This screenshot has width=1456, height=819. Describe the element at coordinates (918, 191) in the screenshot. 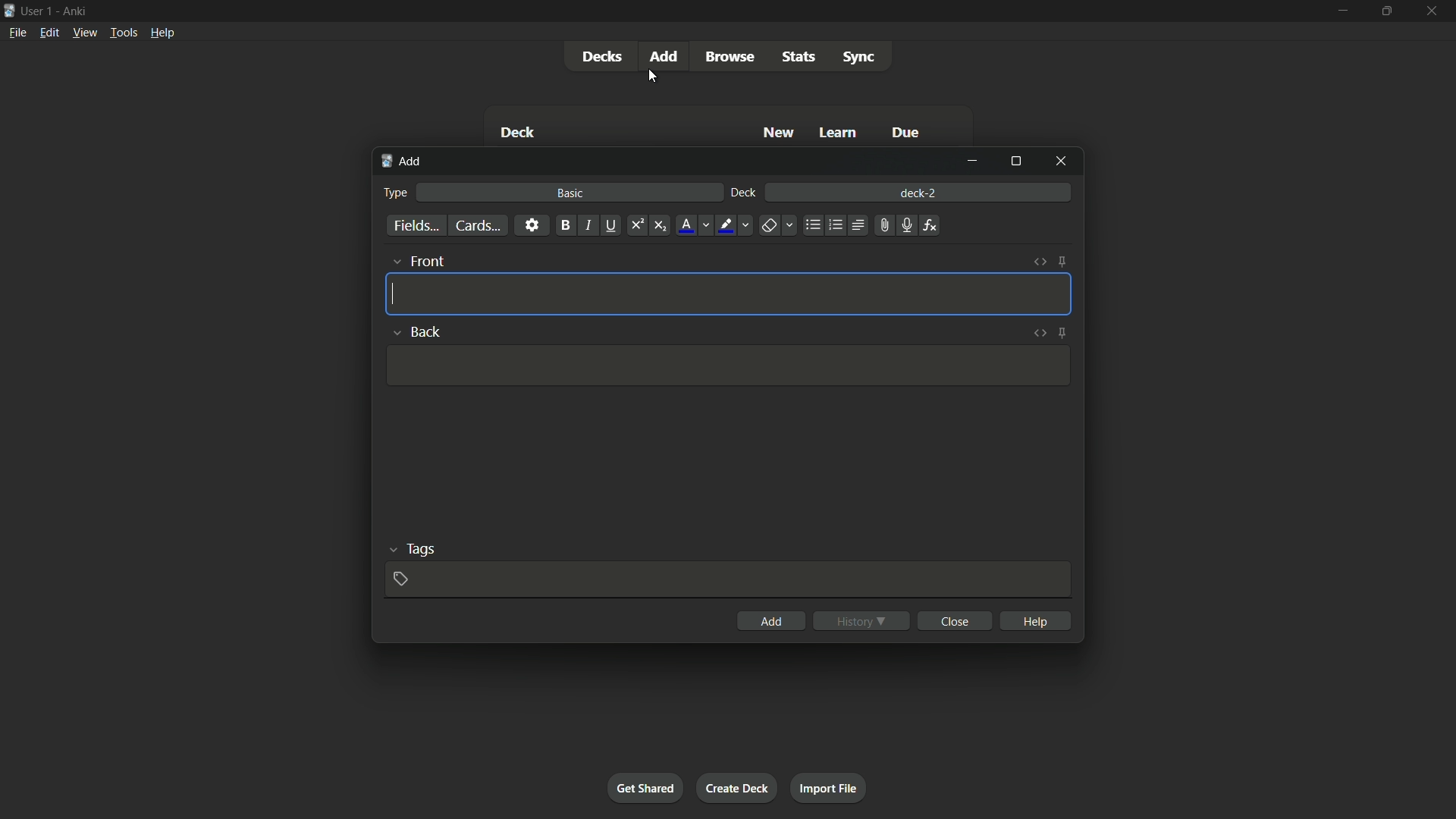

I see `deck-2` at that location.